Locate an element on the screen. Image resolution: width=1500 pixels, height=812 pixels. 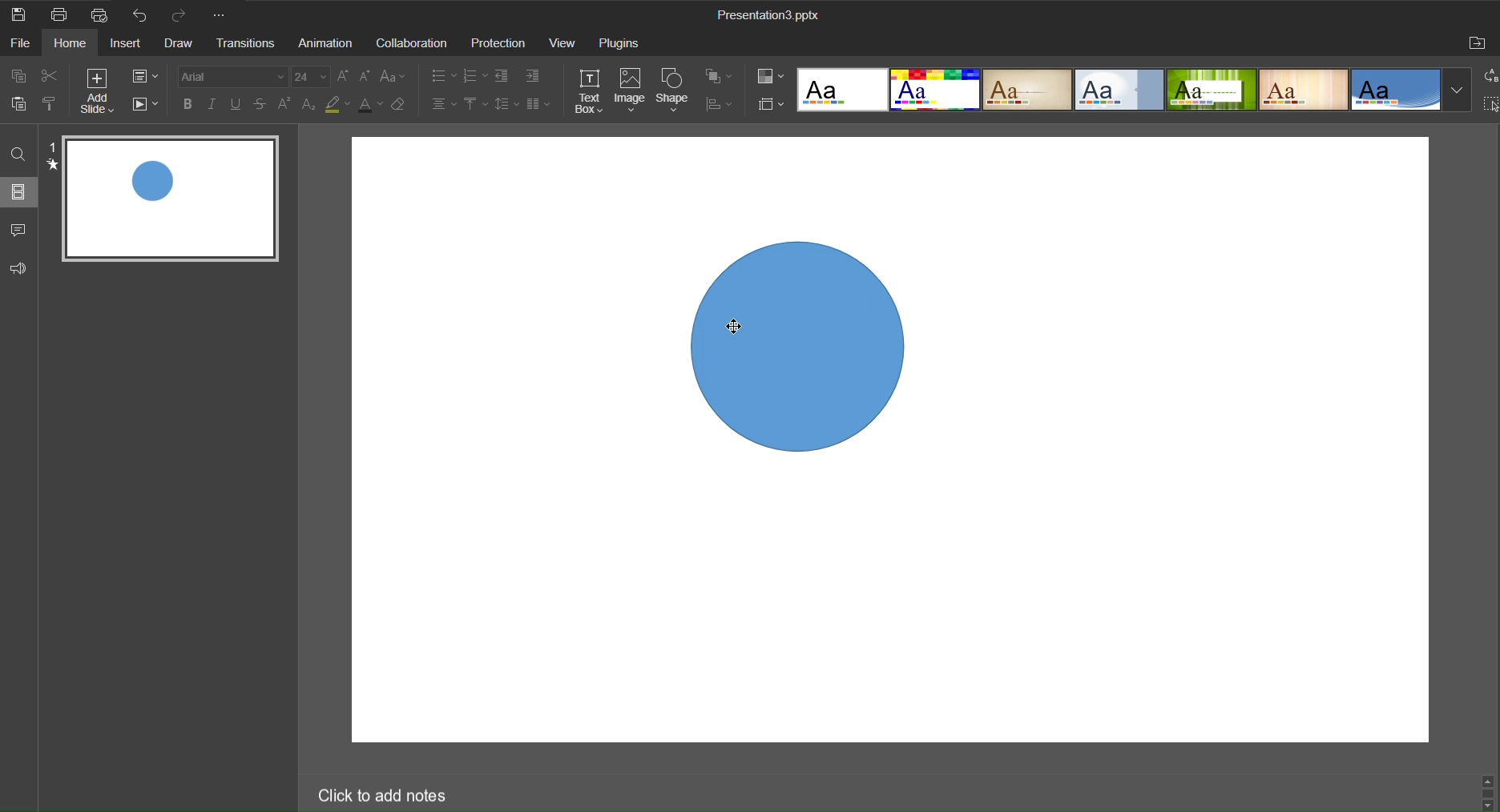
Find is located at coordinates (19, 152).